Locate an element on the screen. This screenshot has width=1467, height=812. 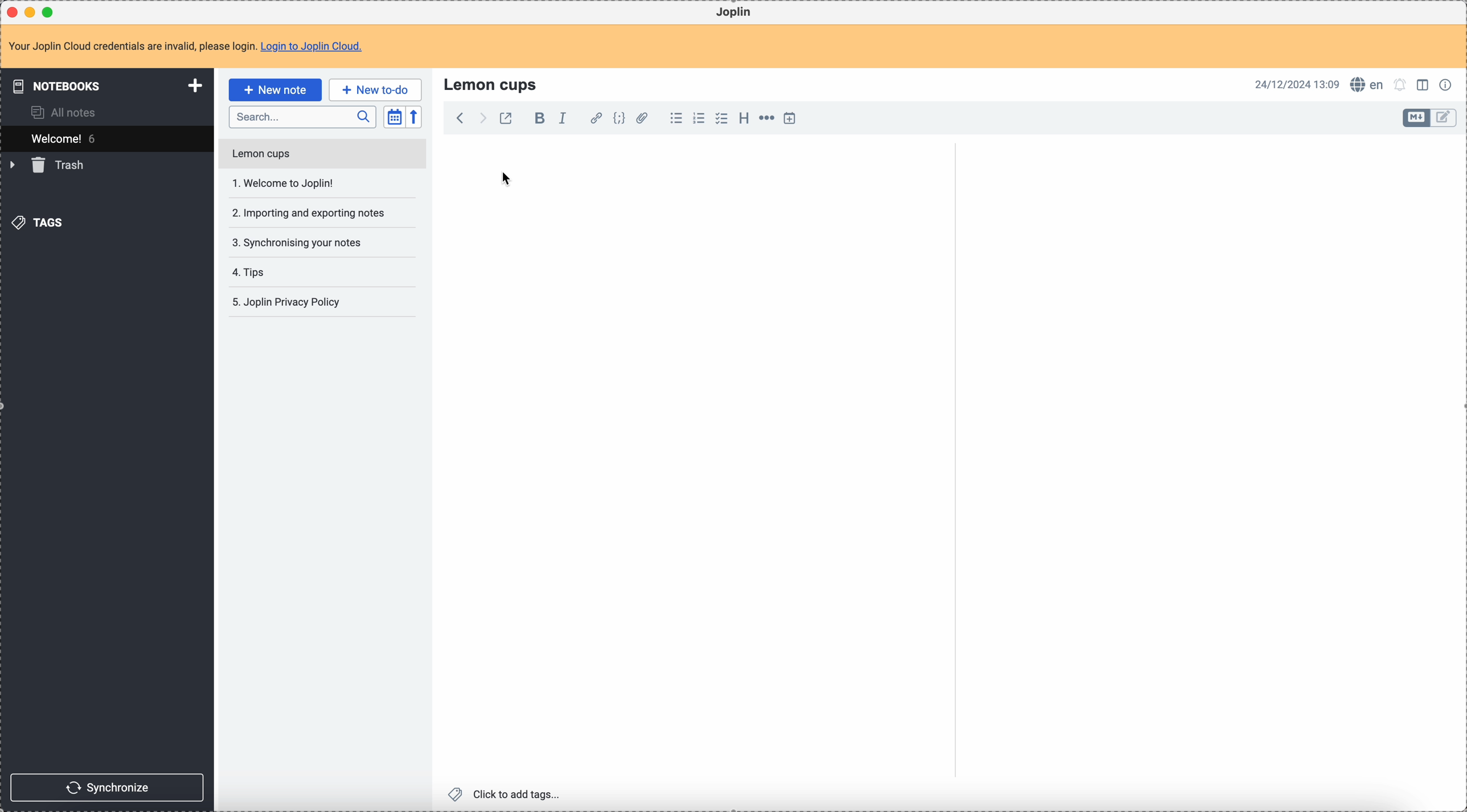
numbered list is located at coordinates (700, 118).